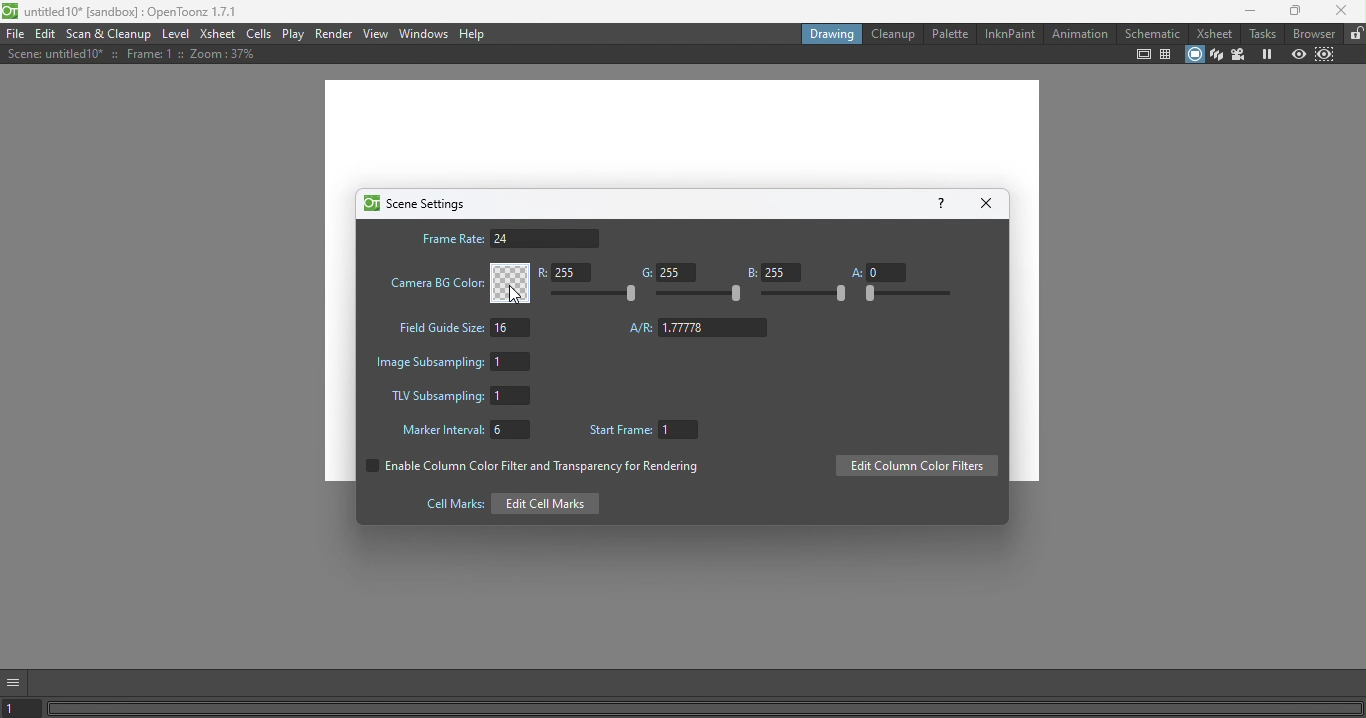 The image size is (1366, 718). Describe the element at coordinates (124, 13) in the screenshot. I see `File name` at that location.